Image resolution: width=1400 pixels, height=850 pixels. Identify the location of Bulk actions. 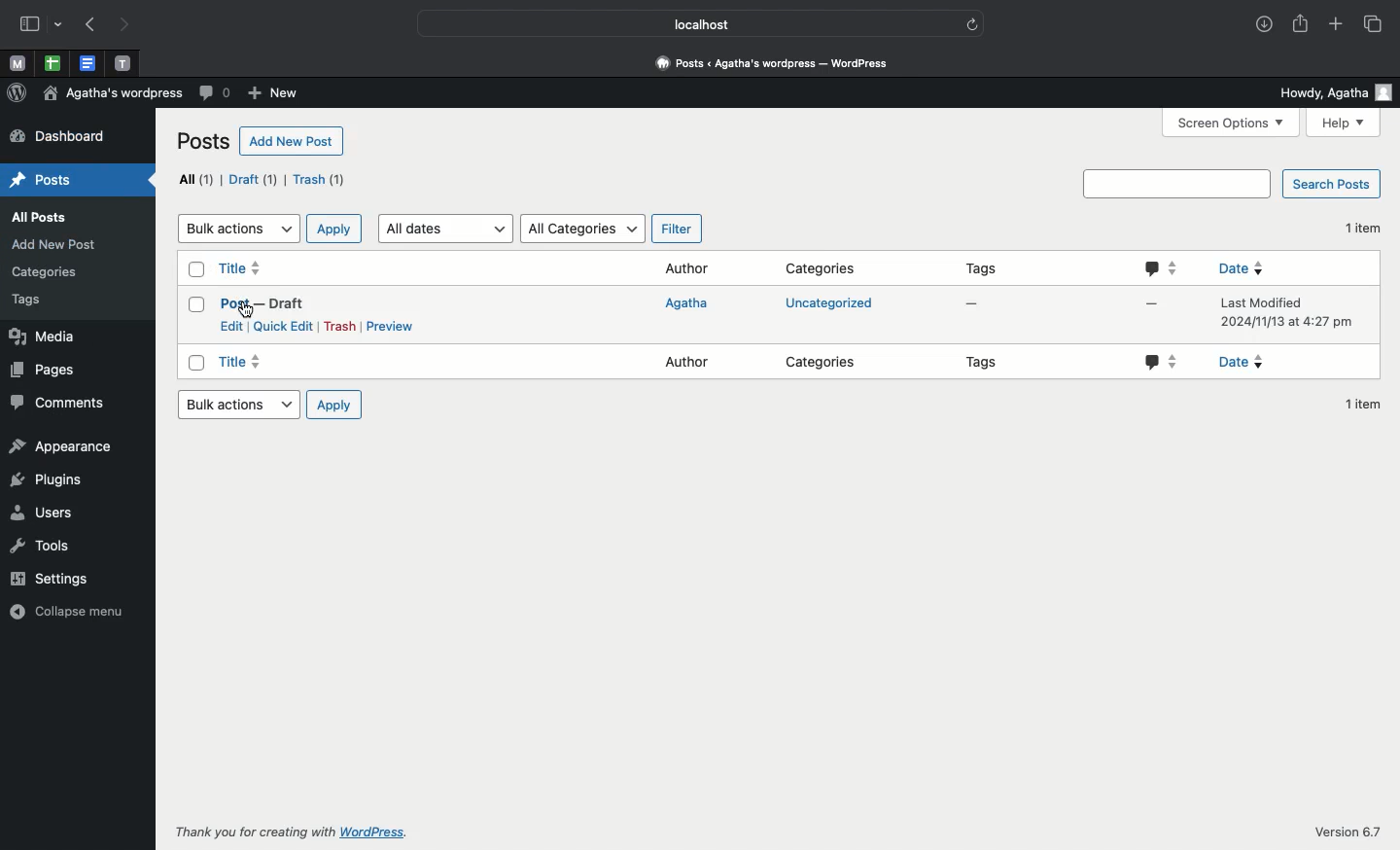
(236, 229).